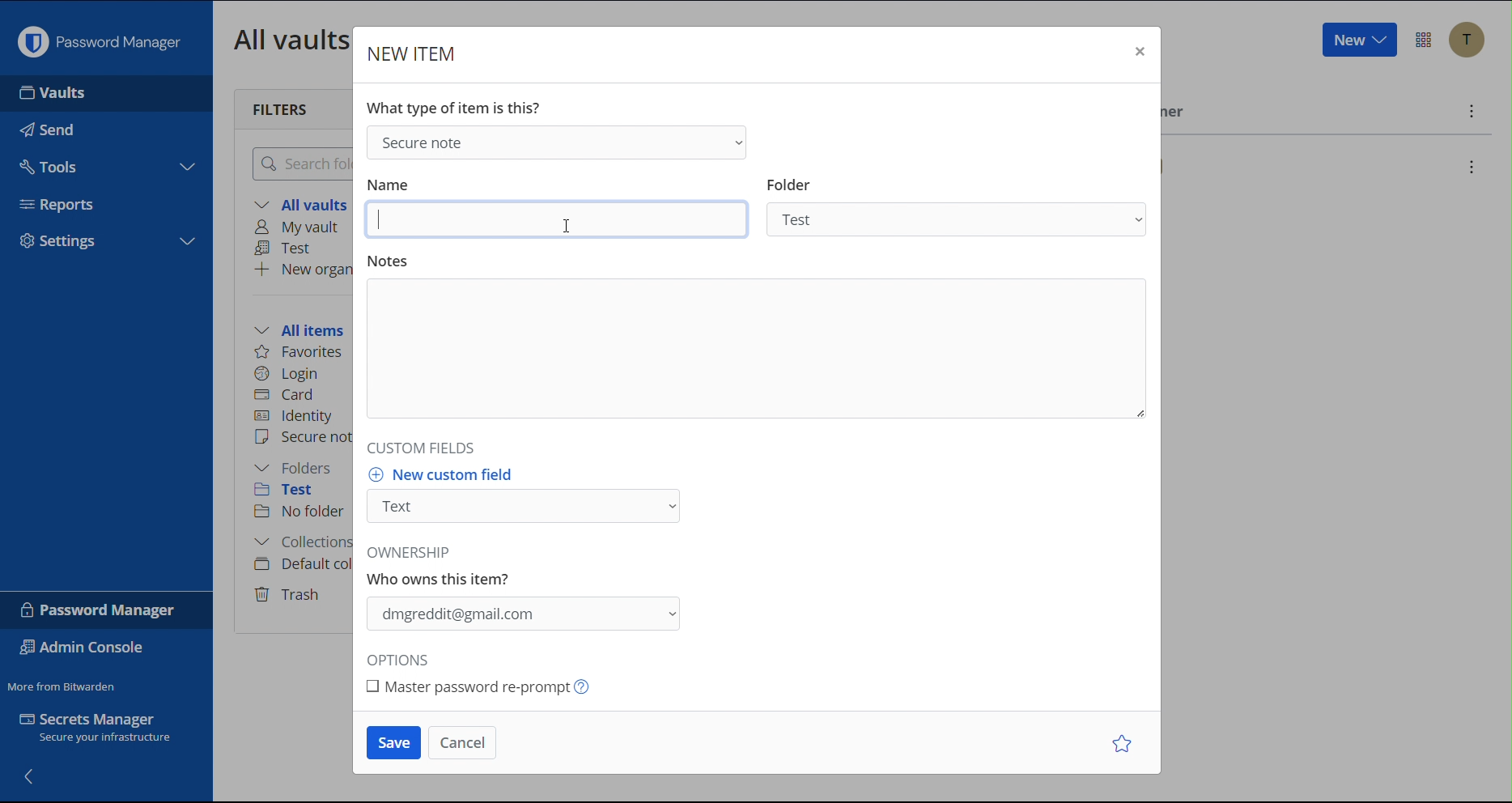 The width and height of the screenshot is (1512, 803). I want to click on Secure Note, so click(554, 141).